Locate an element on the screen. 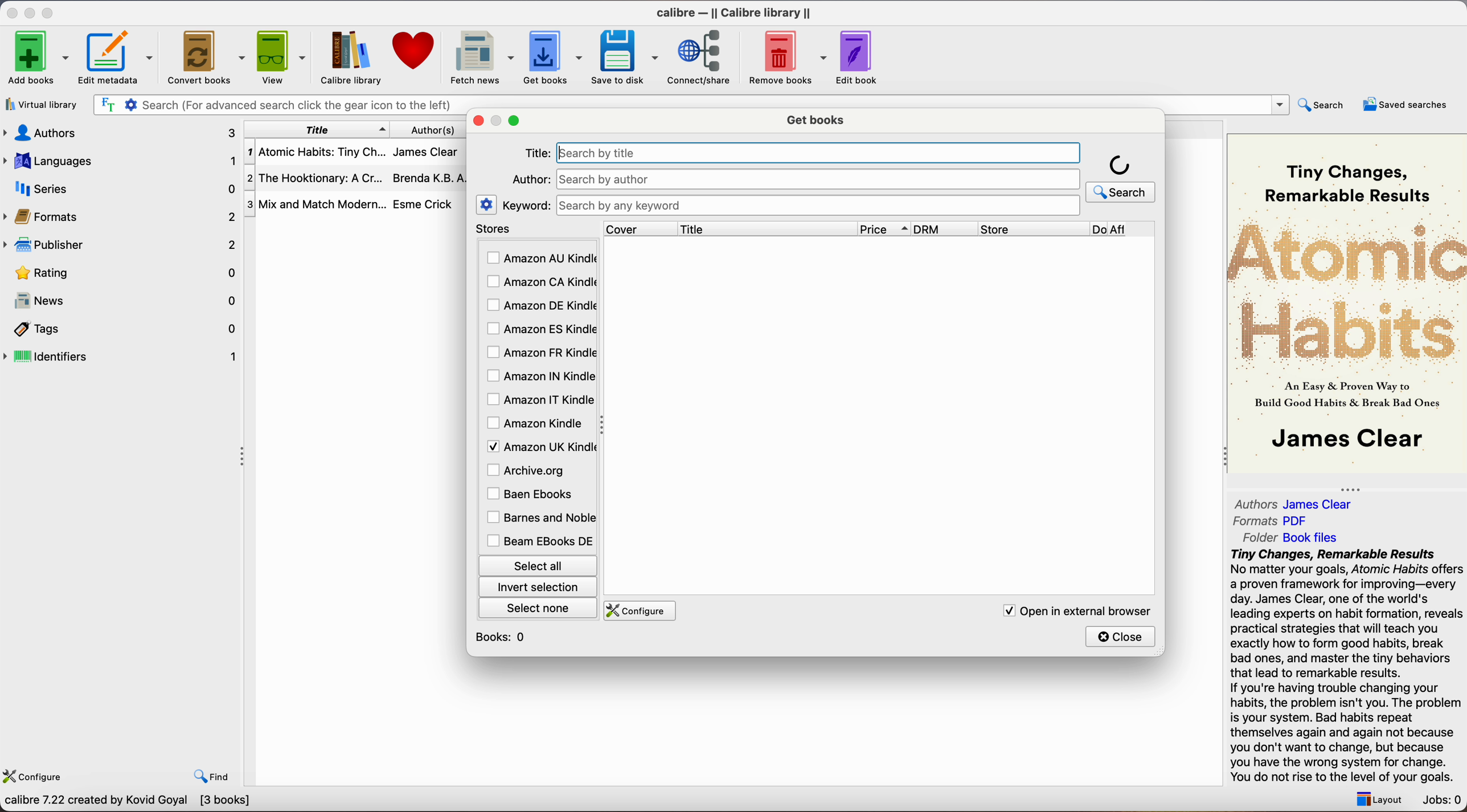 This screenshot has width=1467, height=812. archieve.org is located at coordinates (528, 470).